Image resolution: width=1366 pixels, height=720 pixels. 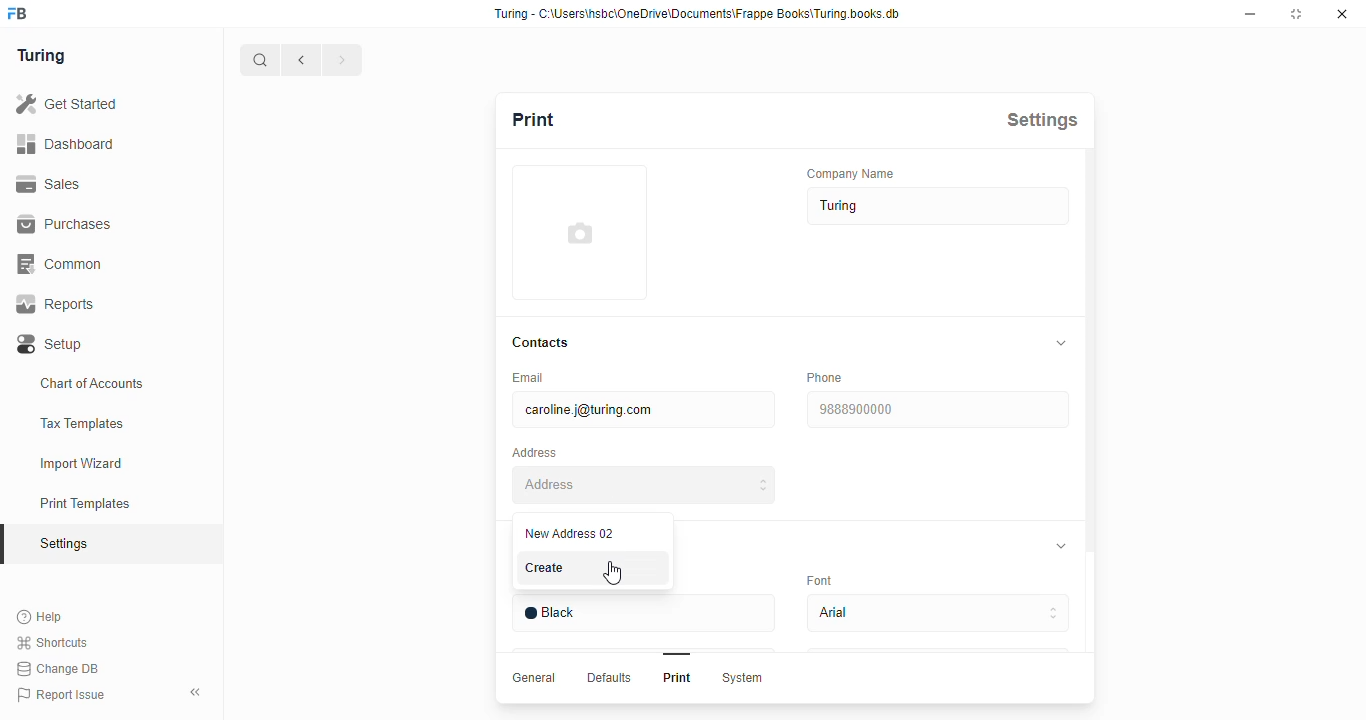 I want to click on sales, so click(x=52, y=184).